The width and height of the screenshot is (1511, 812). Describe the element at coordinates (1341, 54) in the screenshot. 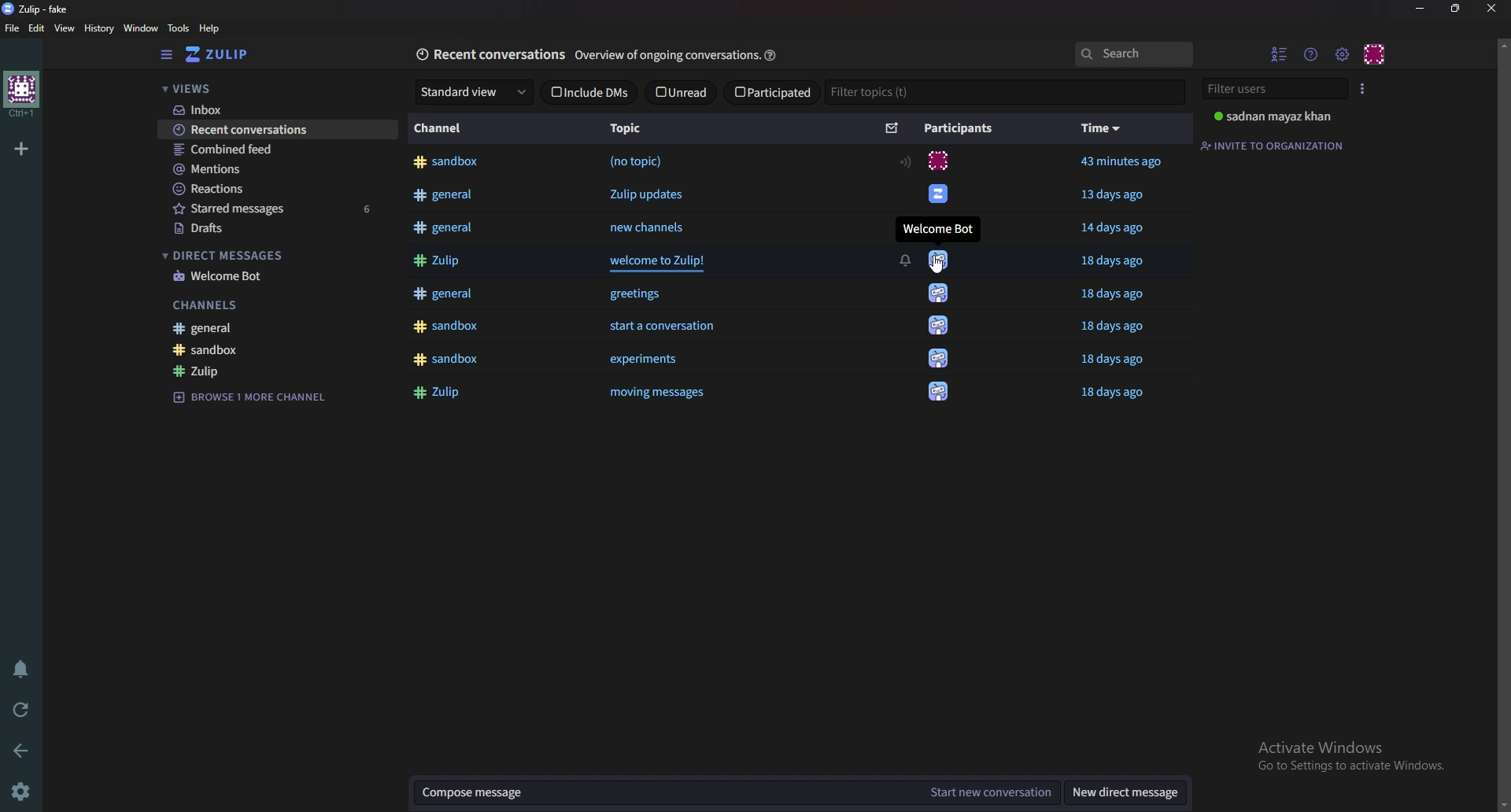

I see `Main menu` at that location.